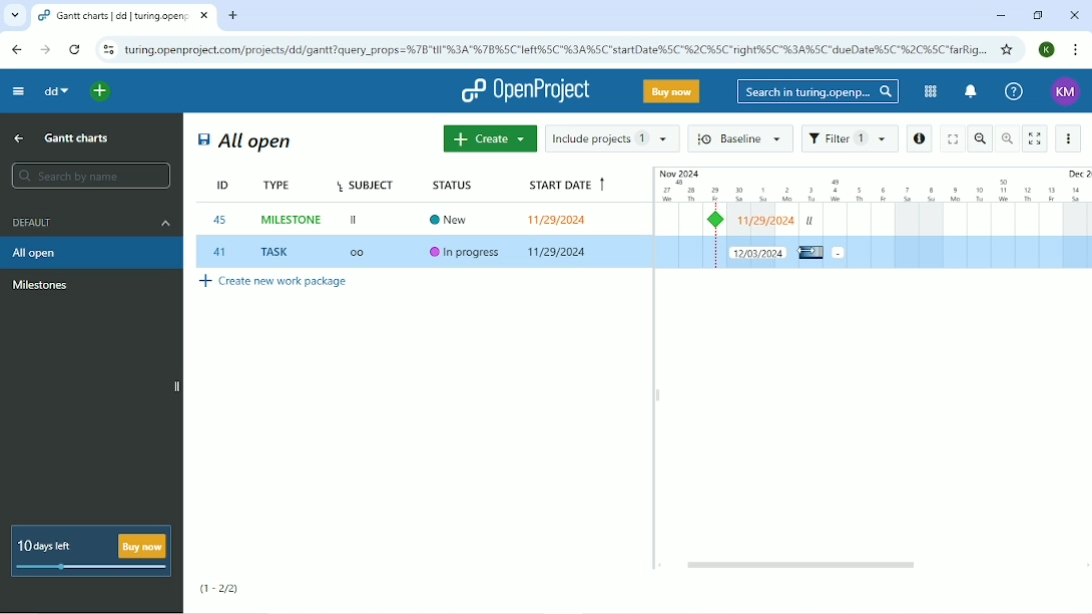  What do you see at coordinates (969, 92) in the screenshot?
I see `To notification center` at bounding box center [969, 92].